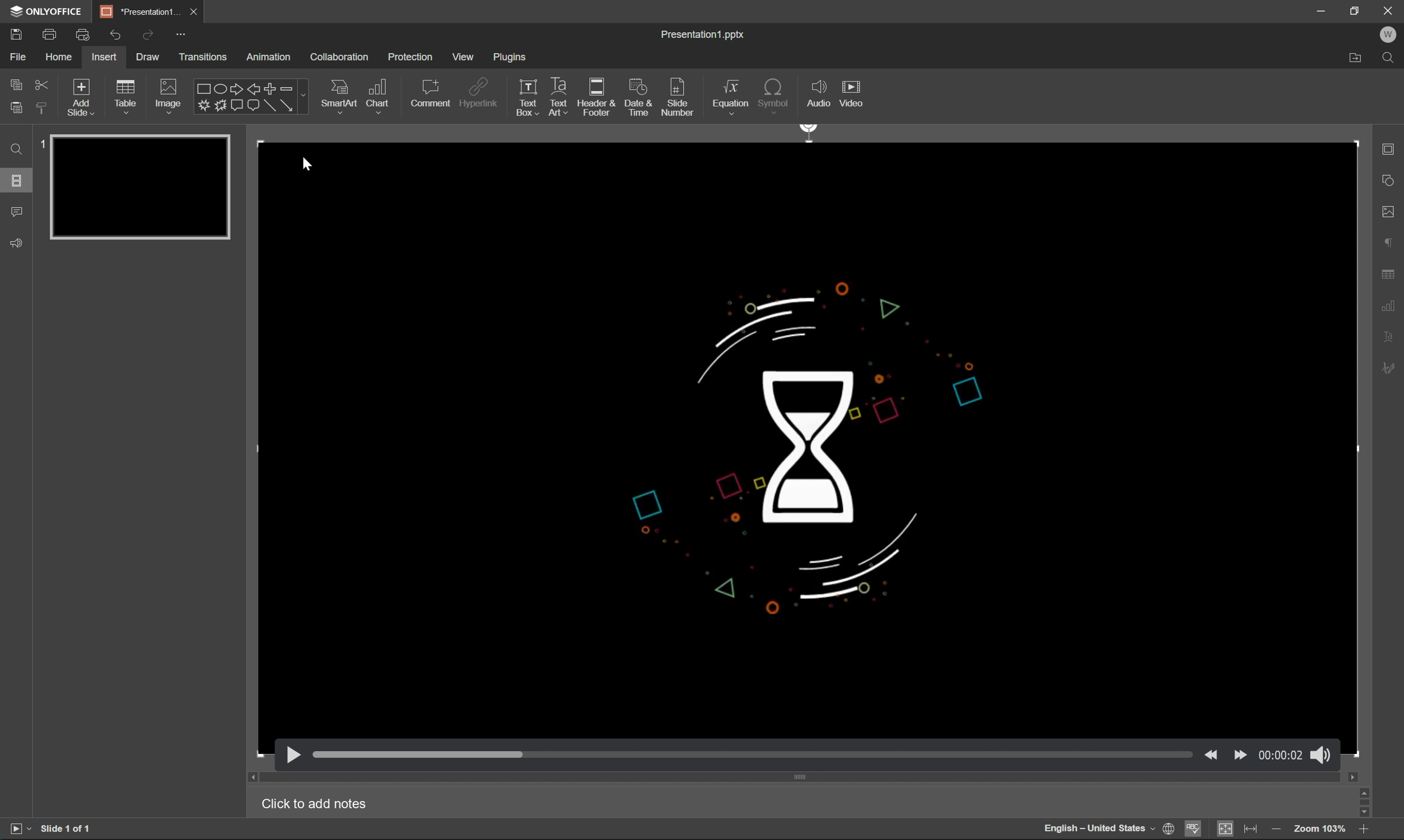 The height and width of the screenshot is (840, 1404). Describe the element at coordinates (597, 98) in the screenshot. I see `header & footer` at that location.